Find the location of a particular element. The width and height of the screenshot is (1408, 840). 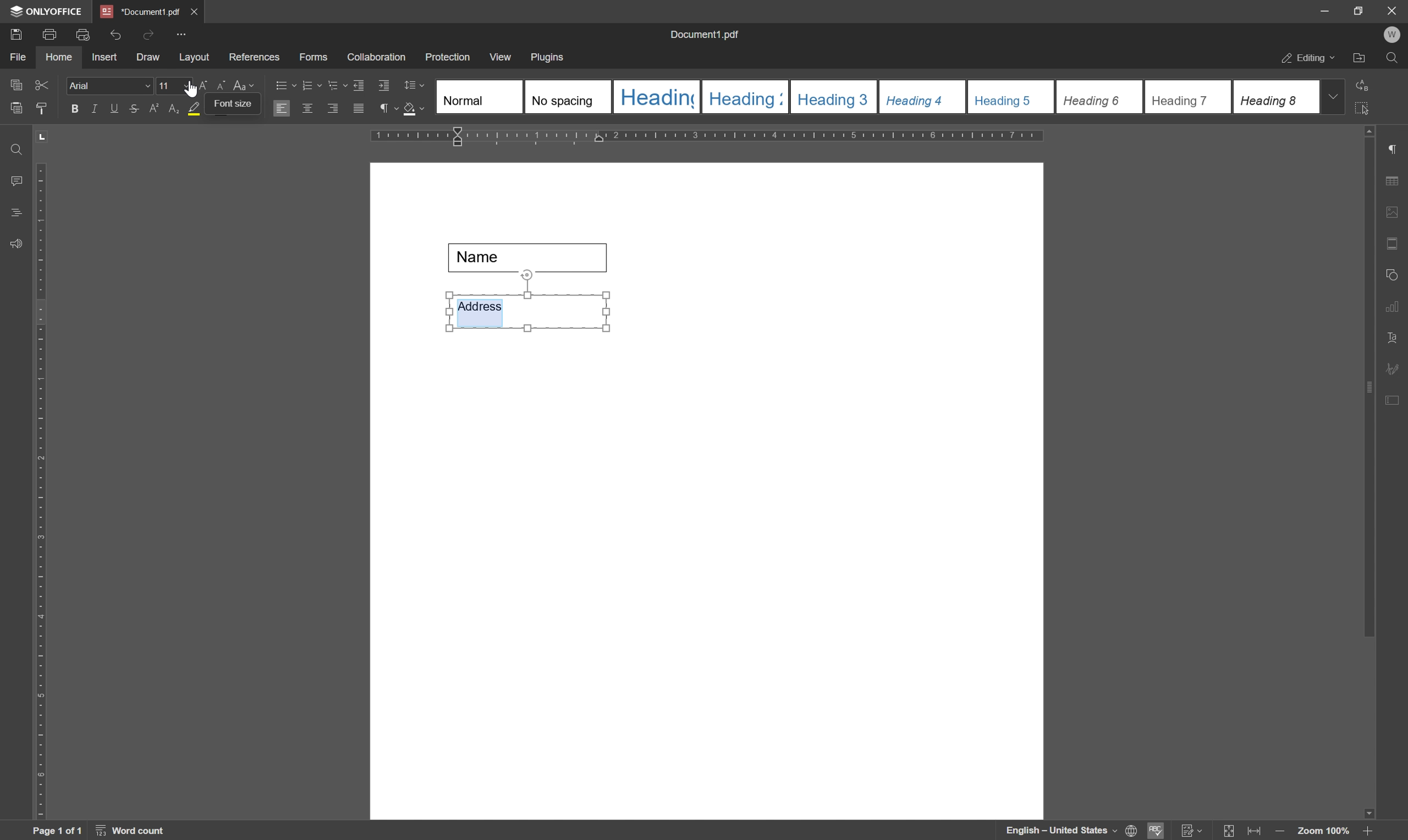

view is located at coordinates (502, 57).